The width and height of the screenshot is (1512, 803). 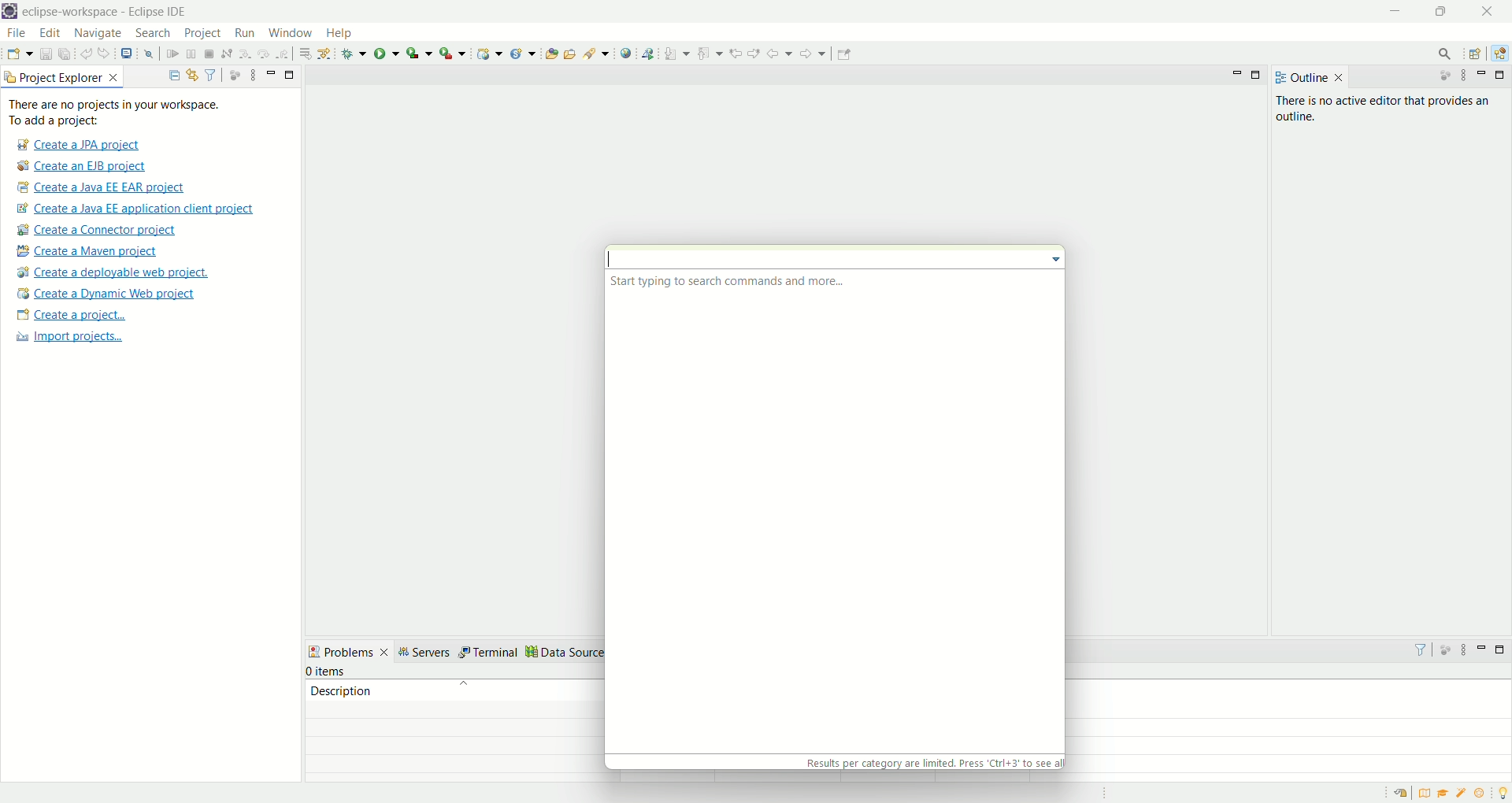 What do you see at coordinates (1466, 794) in the screenshot?
I see `samples` at bounding box center [1466, 794].